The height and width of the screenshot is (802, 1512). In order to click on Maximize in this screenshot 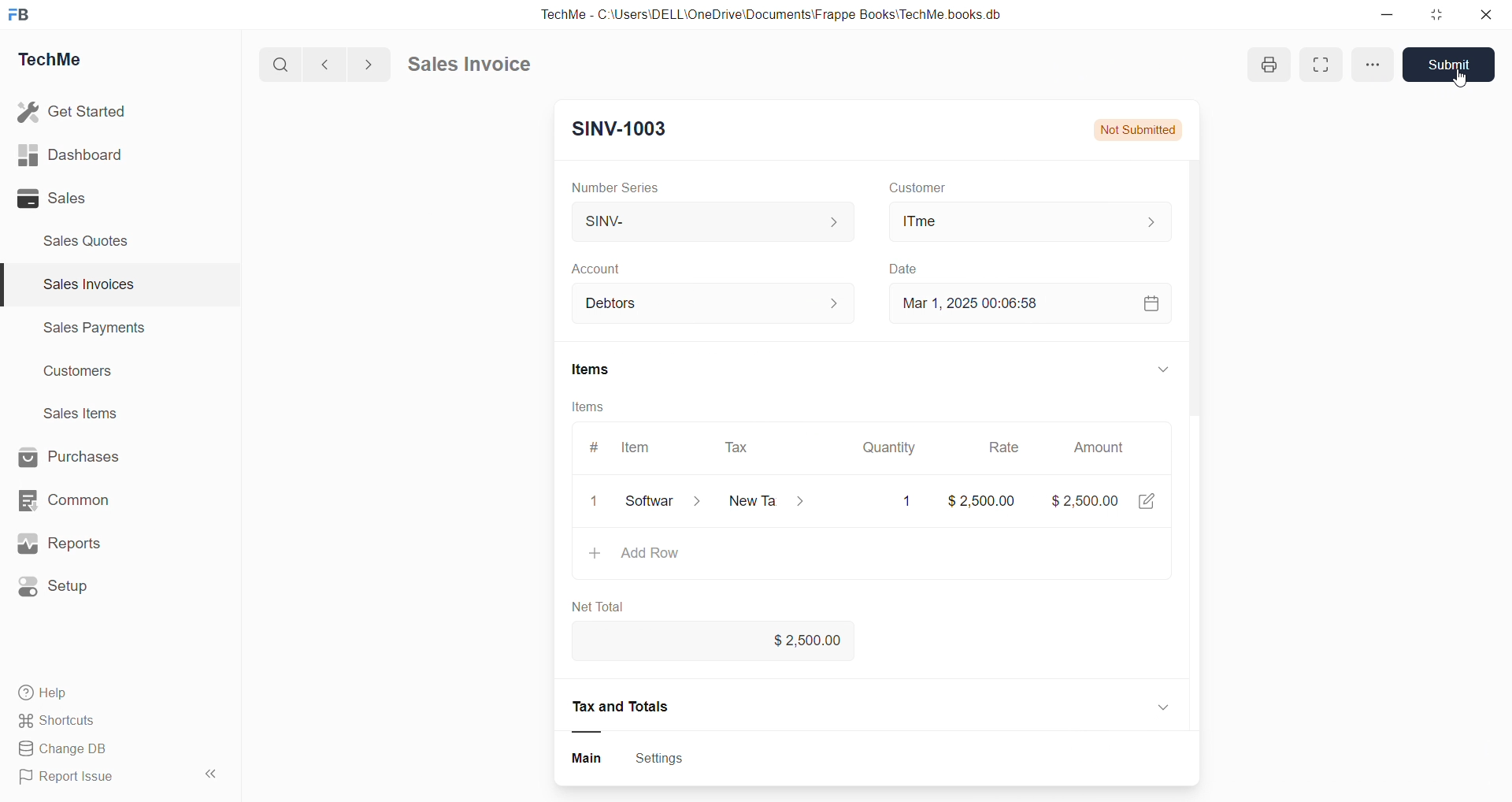, I will do `click(1439, 18)`.